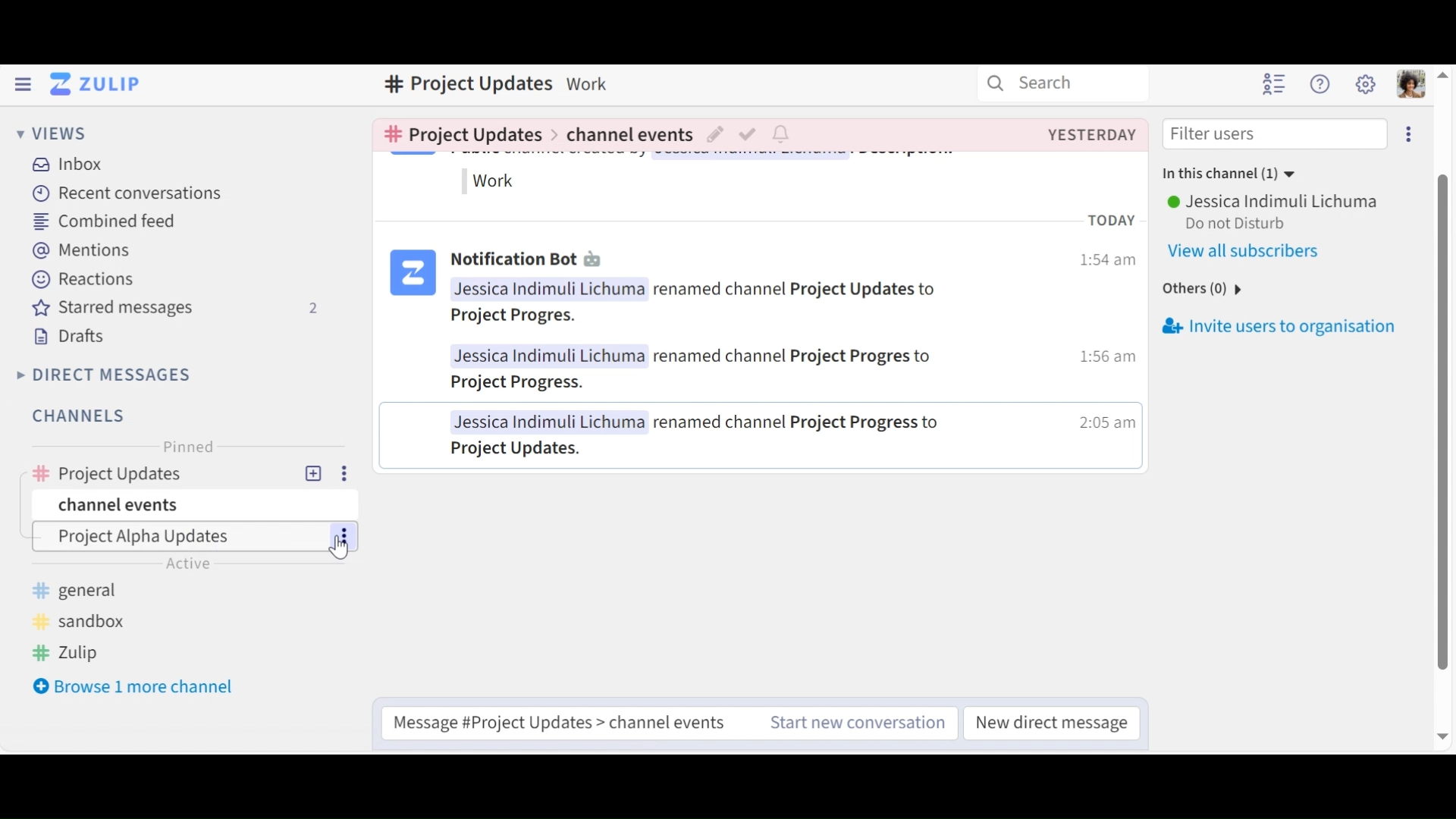 This screenshot has width=1456, height=819. Describe the element at coordinates (1322, 84) in the screenshot. I see `Help Menu` at that location.